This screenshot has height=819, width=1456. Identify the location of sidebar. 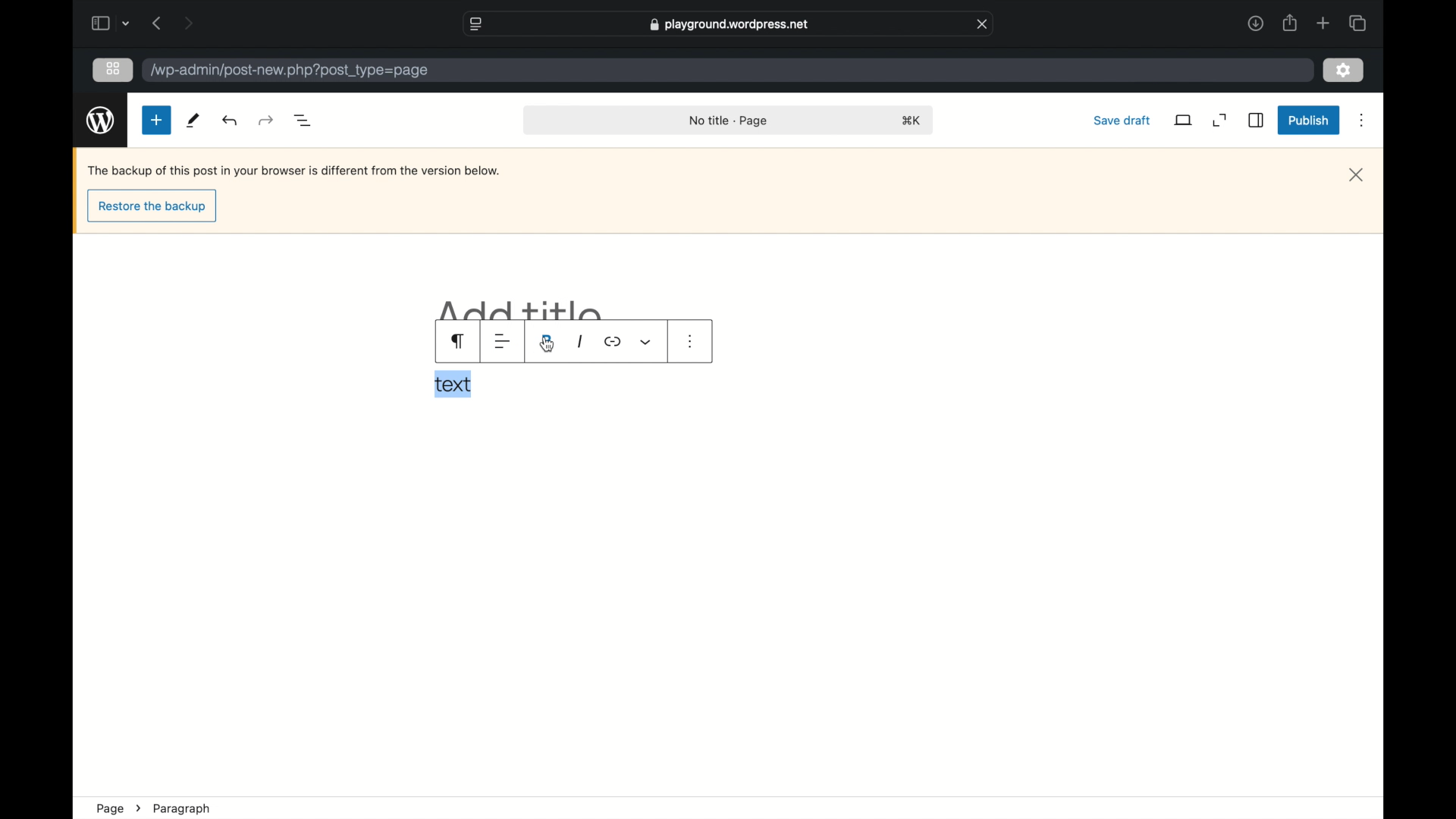
(99, 23).